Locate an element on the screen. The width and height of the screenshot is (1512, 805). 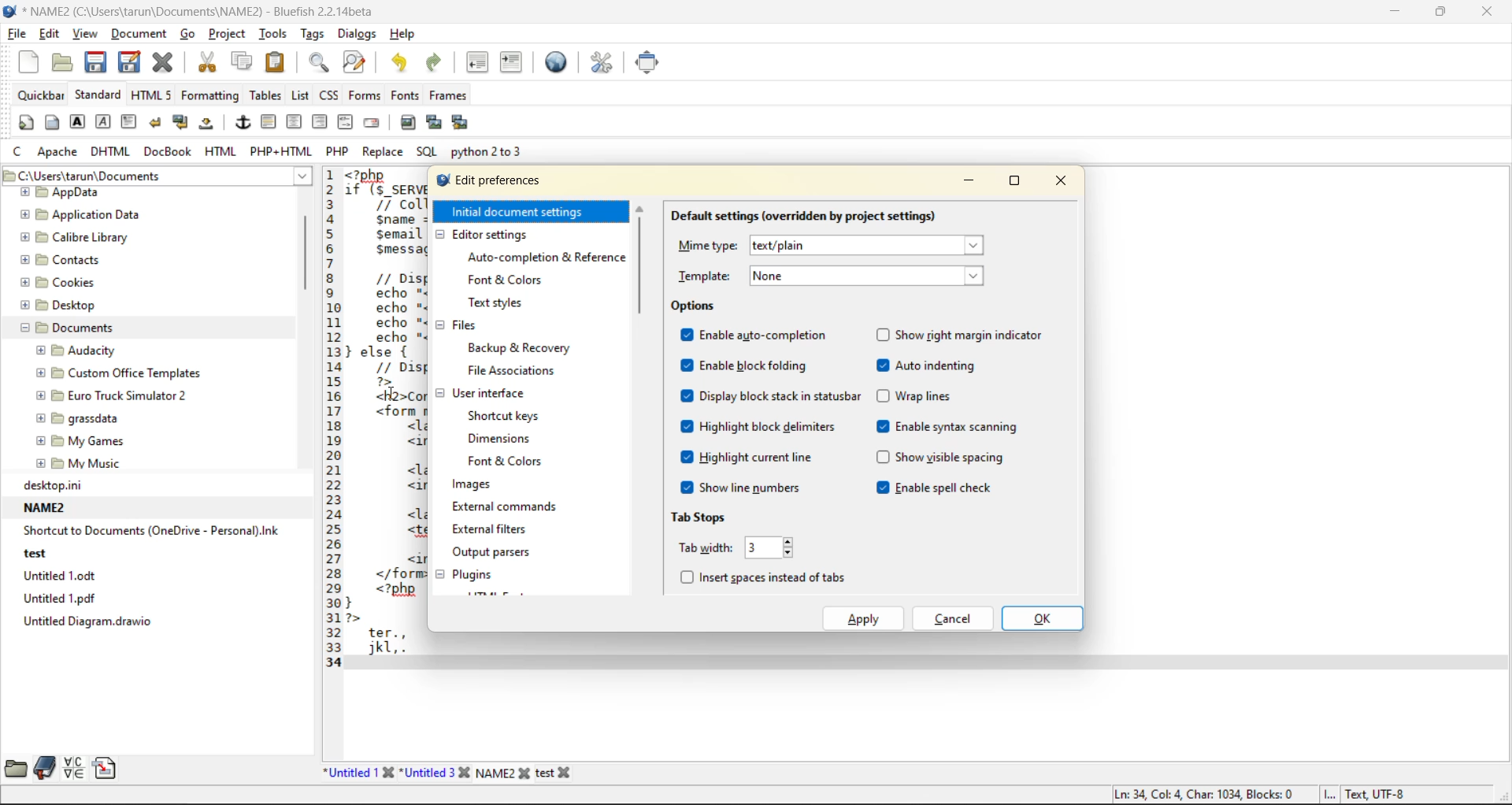
edit is located at coordinates (45, 34).